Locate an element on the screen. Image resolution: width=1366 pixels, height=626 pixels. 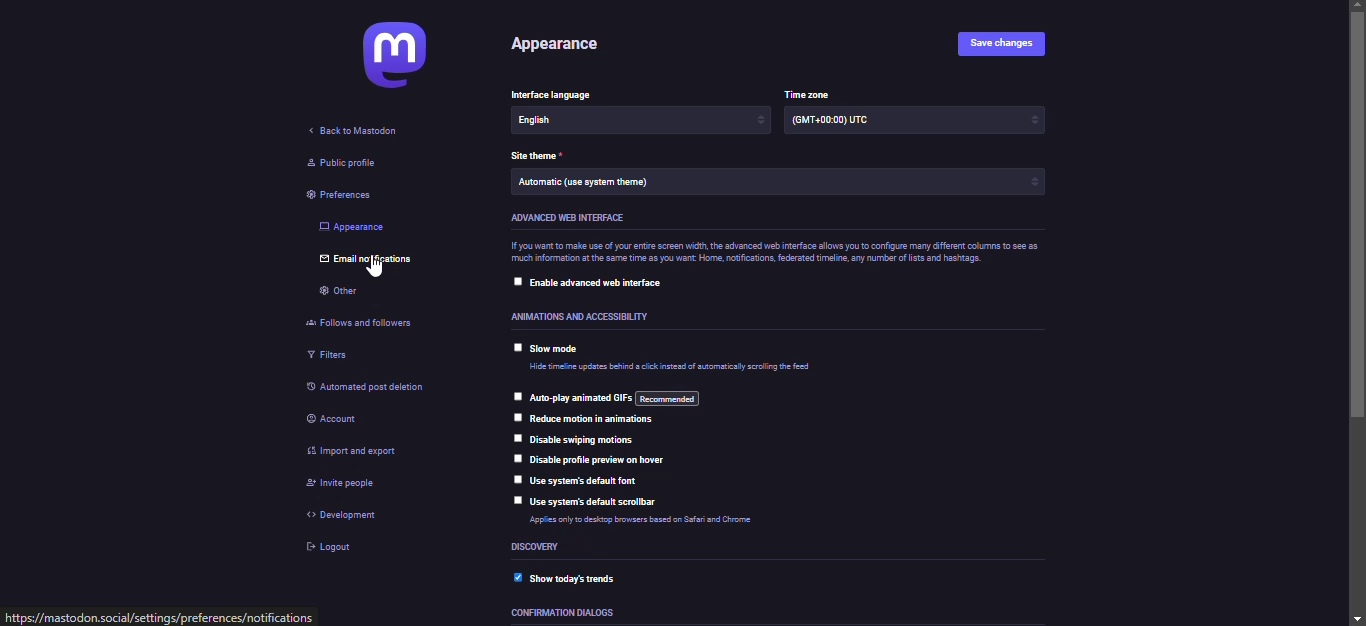
invite people is located at coordinates (343, 484).